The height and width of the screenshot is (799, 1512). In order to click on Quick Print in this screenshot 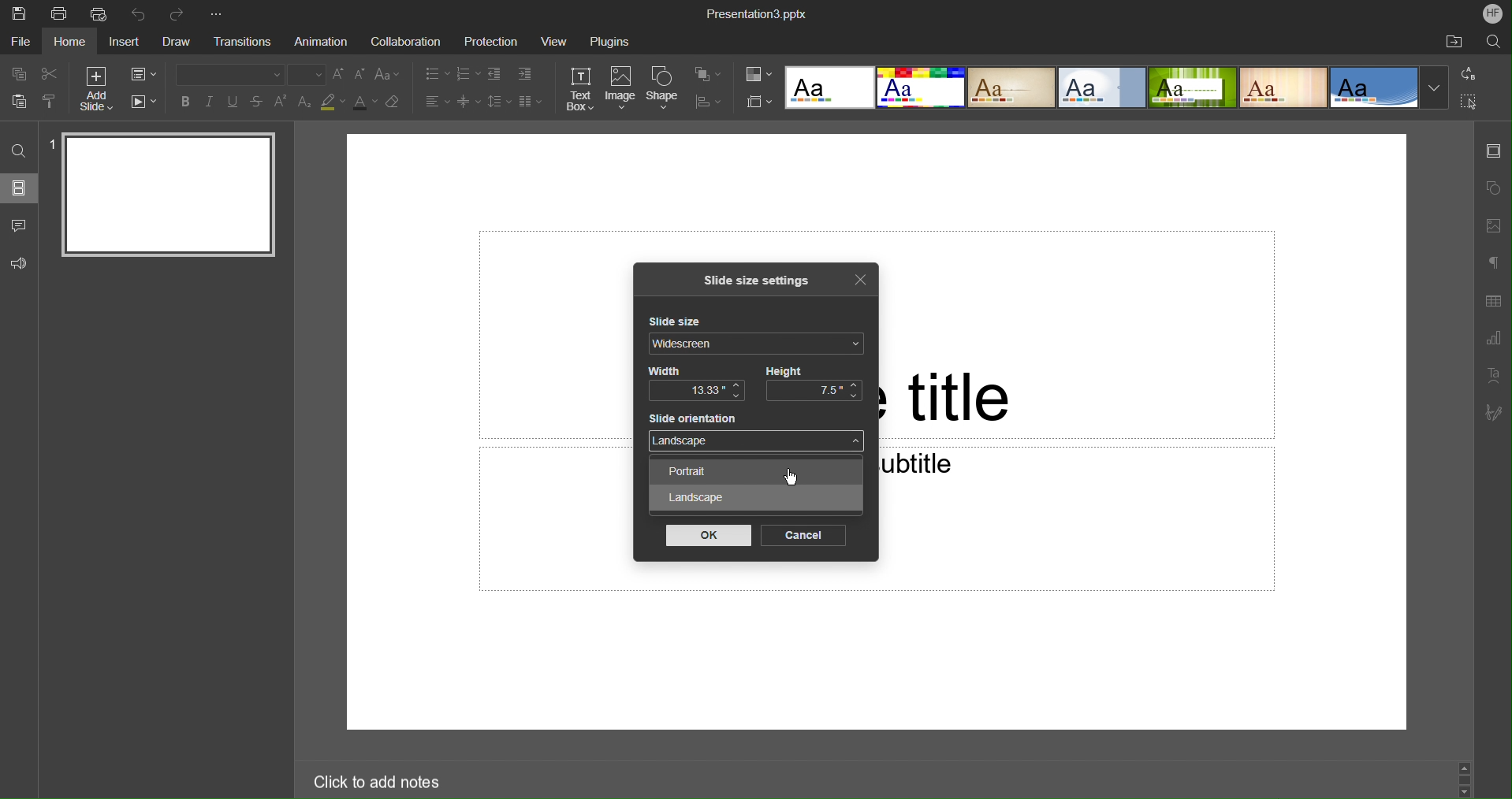, I will do `click(100, 15)`.